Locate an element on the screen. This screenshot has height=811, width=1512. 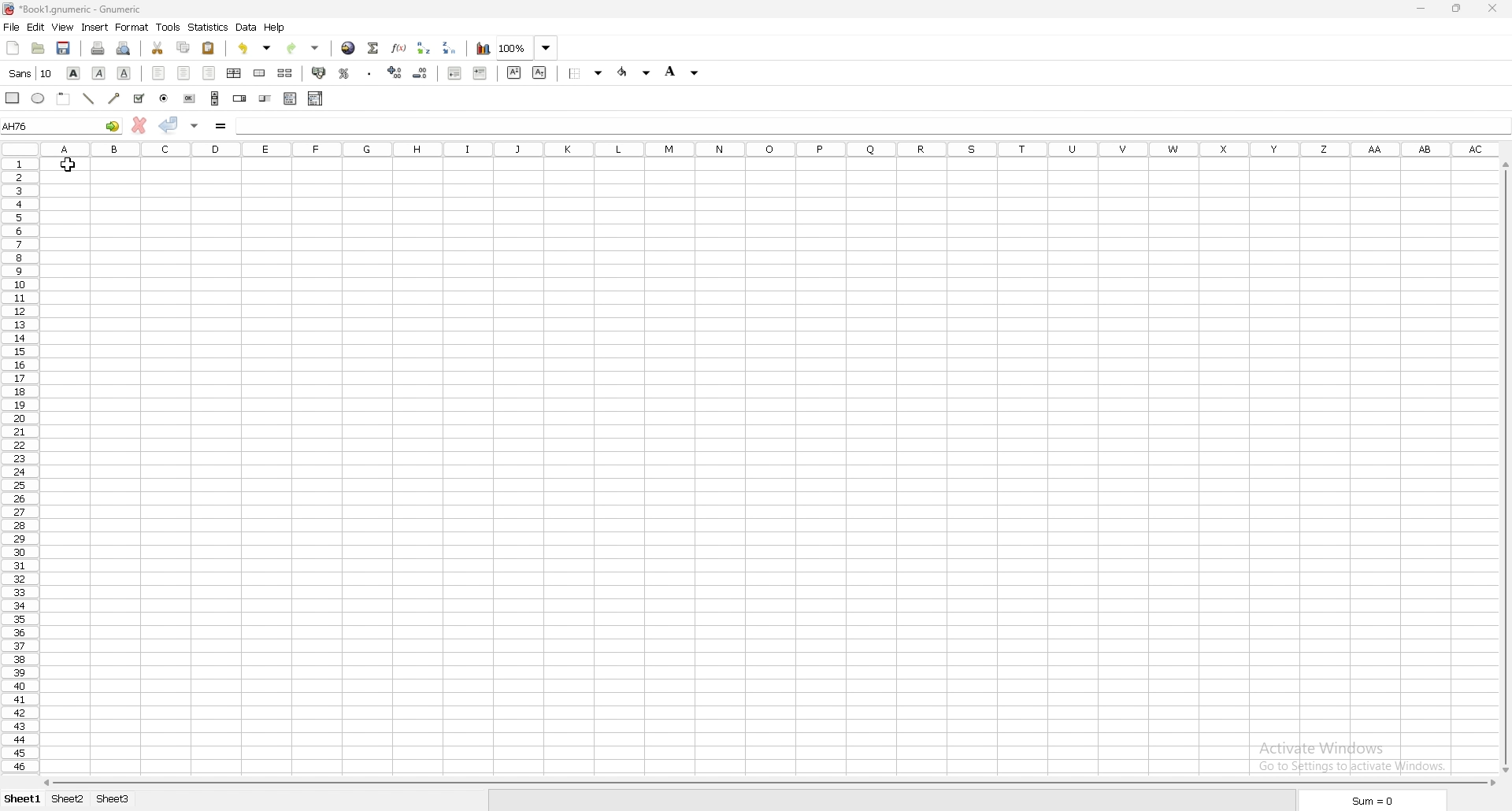
checkbox is located at coordinates (140, 98).